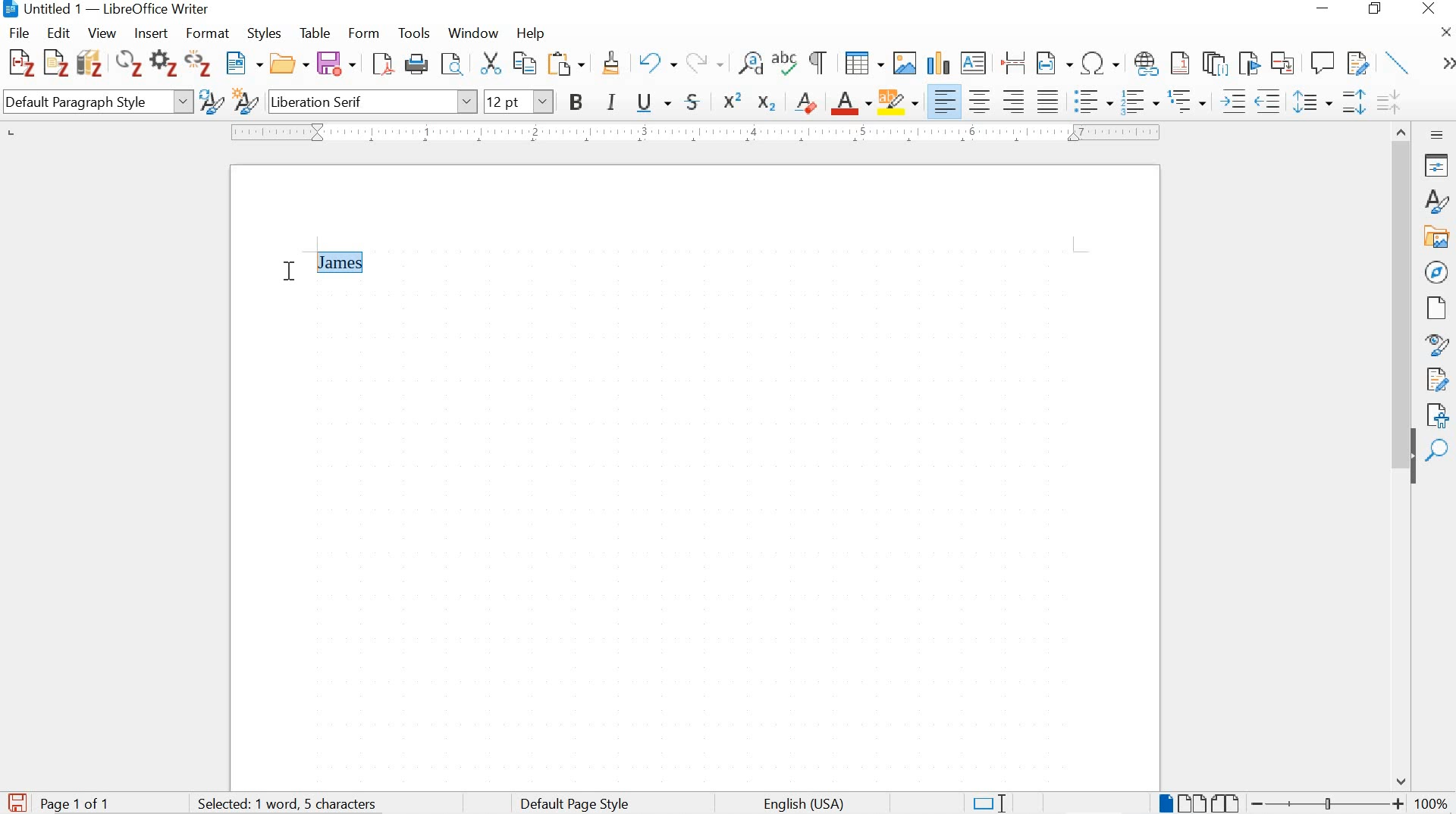  What do you see at coordinates (807, 101) in the screenshot?
I see `clear direct formatting` at bounding box center [807, 101].